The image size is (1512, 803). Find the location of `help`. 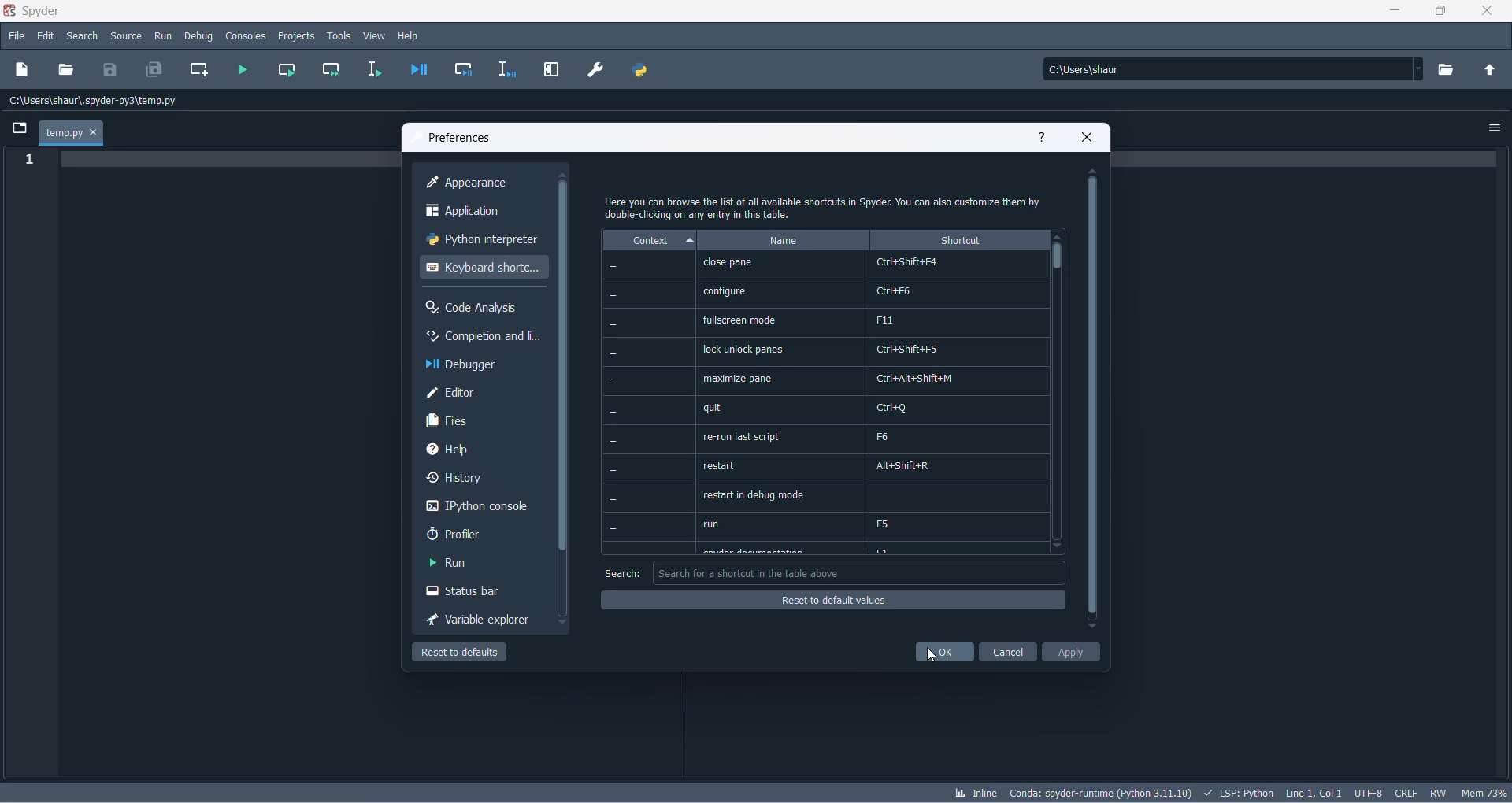

help is located at coordinates (409, 36).